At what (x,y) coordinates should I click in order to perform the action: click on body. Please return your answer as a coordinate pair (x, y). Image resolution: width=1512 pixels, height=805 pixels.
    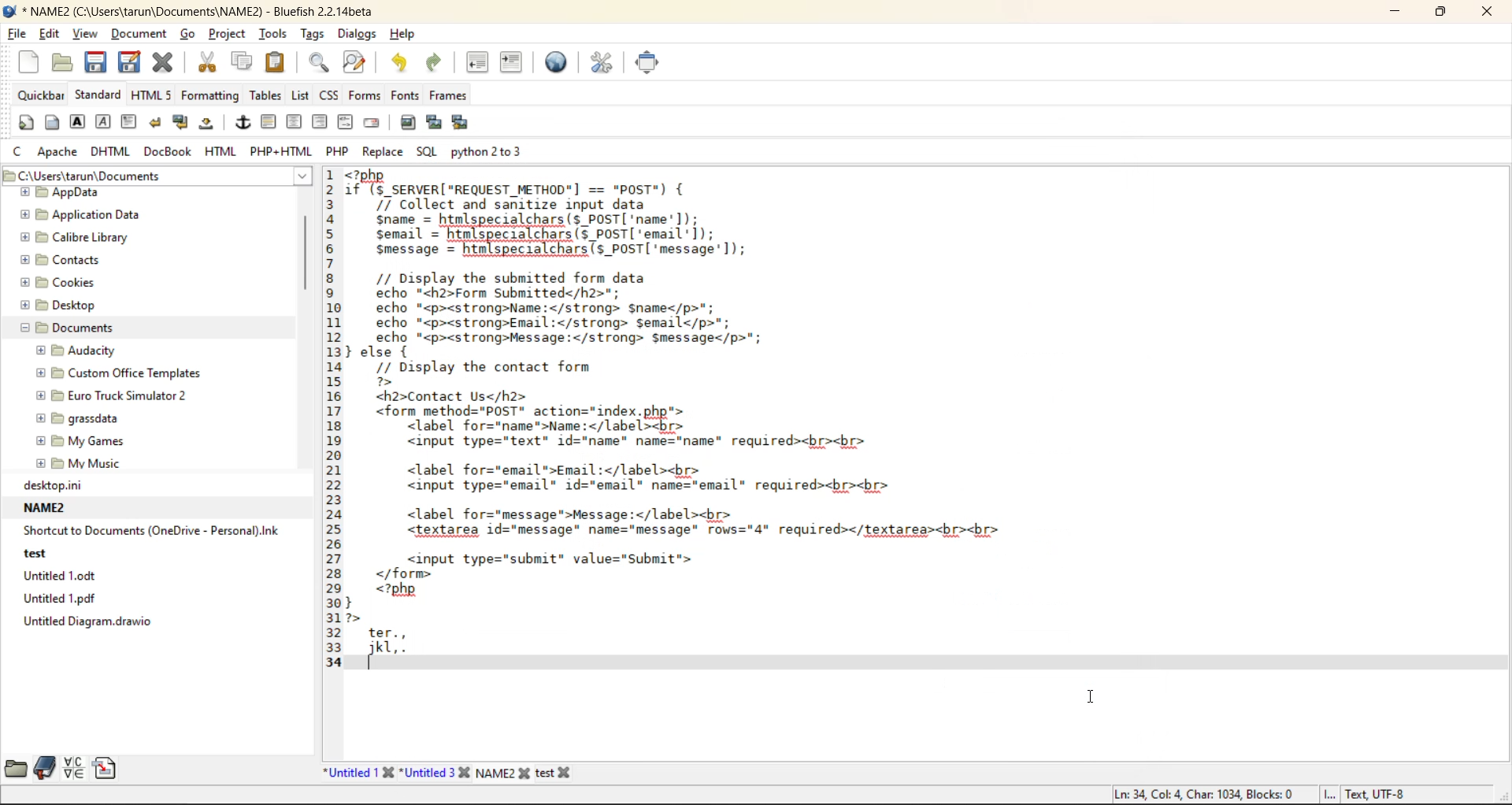
    Looking at the image, I should click on (52, 124).